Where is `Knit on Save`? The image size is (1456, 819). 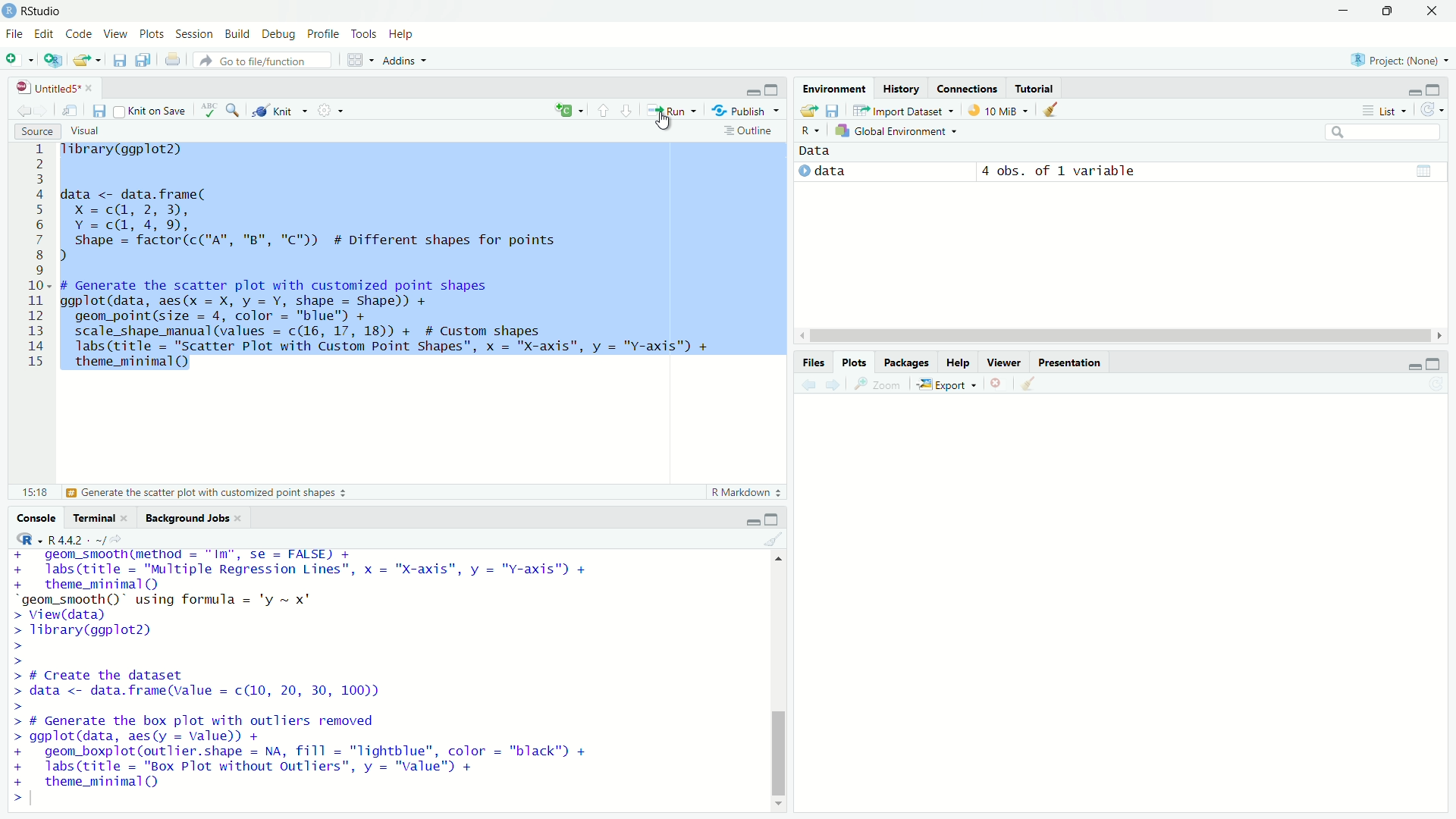
Knit on Save is located at coordinates (151, 110).